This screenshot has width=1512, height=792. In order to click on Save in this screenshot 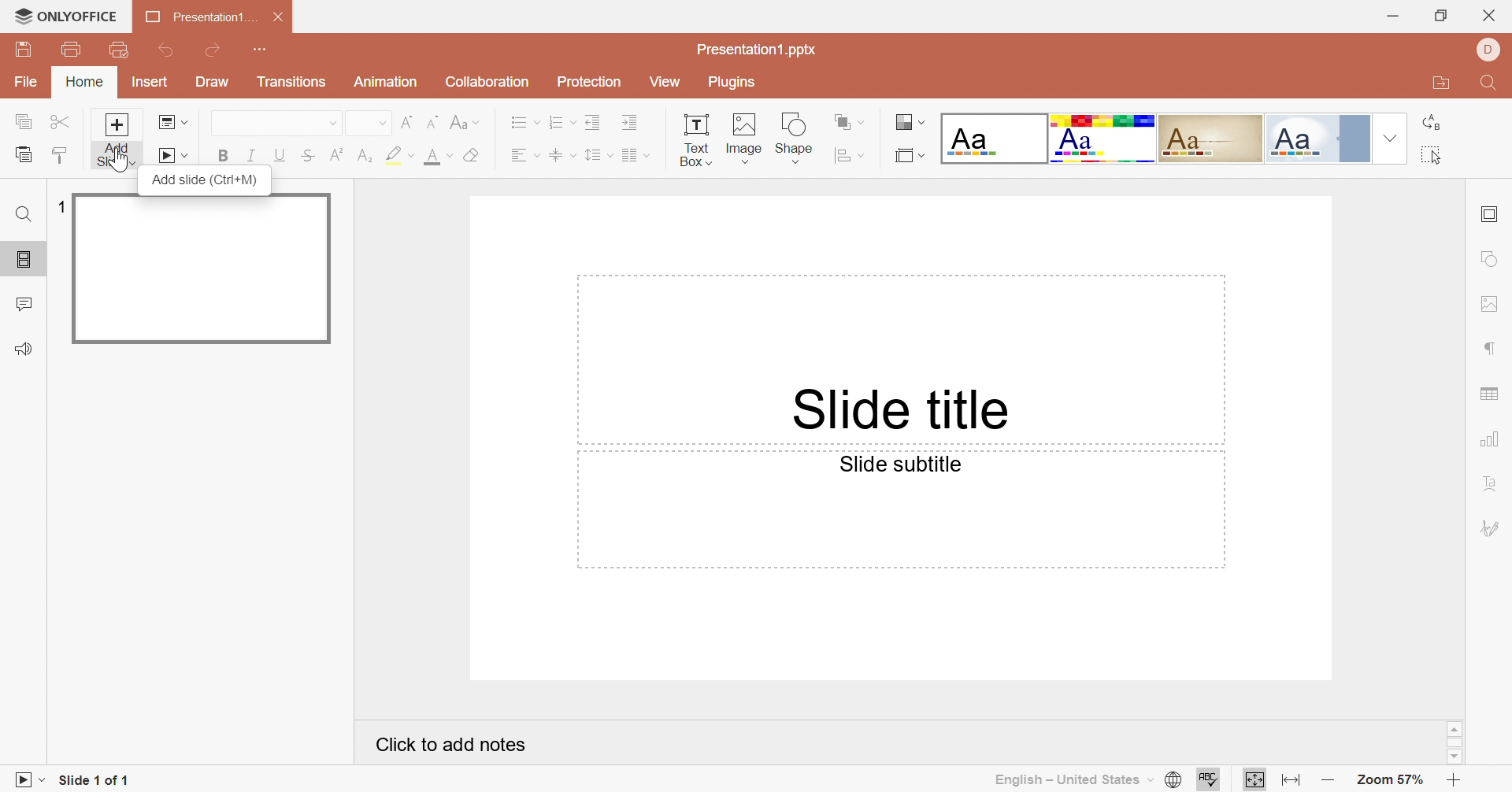, I will do `click(23, 50)`.